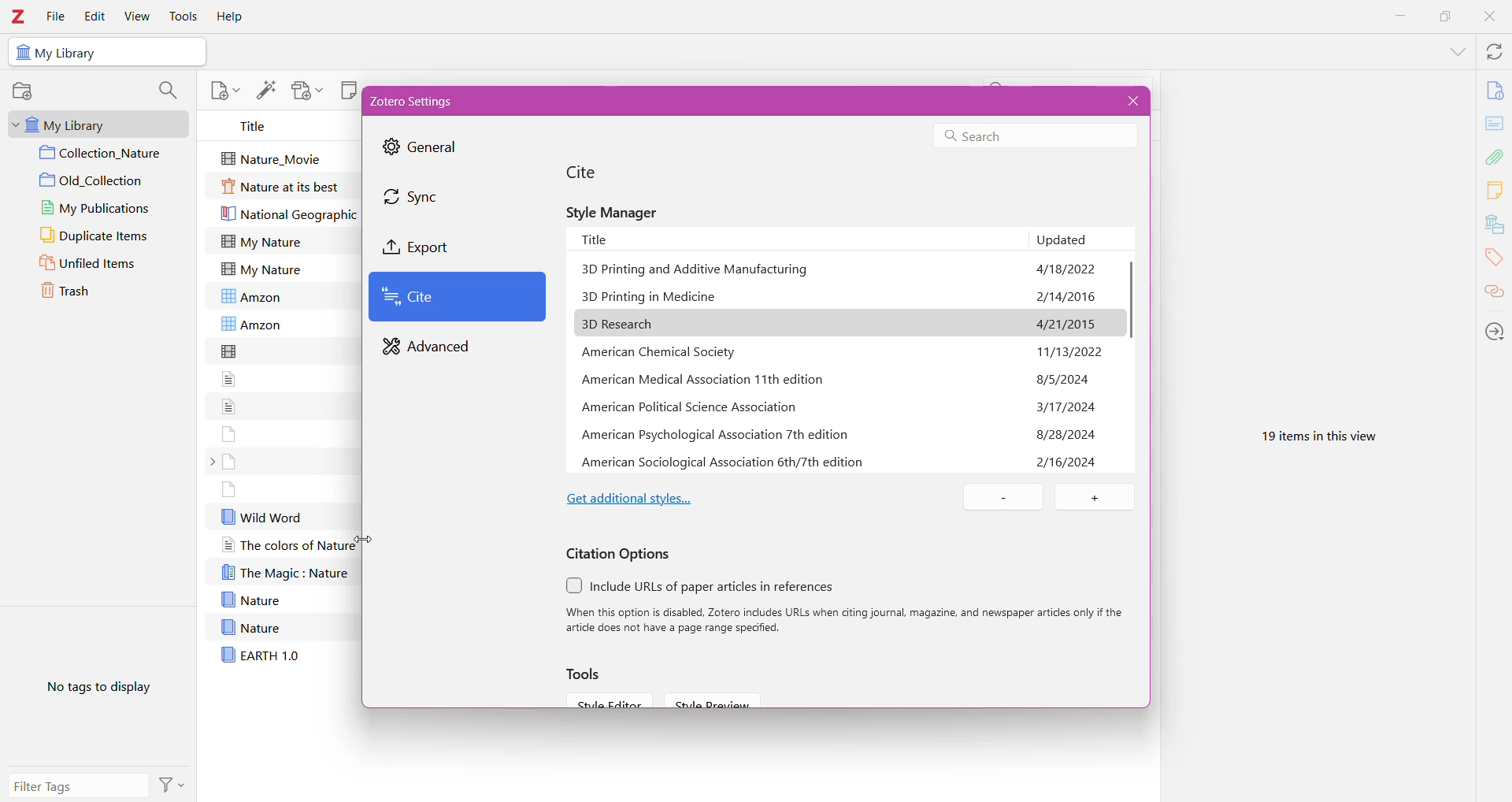  I want to click on My Nature, so click(261, 269).